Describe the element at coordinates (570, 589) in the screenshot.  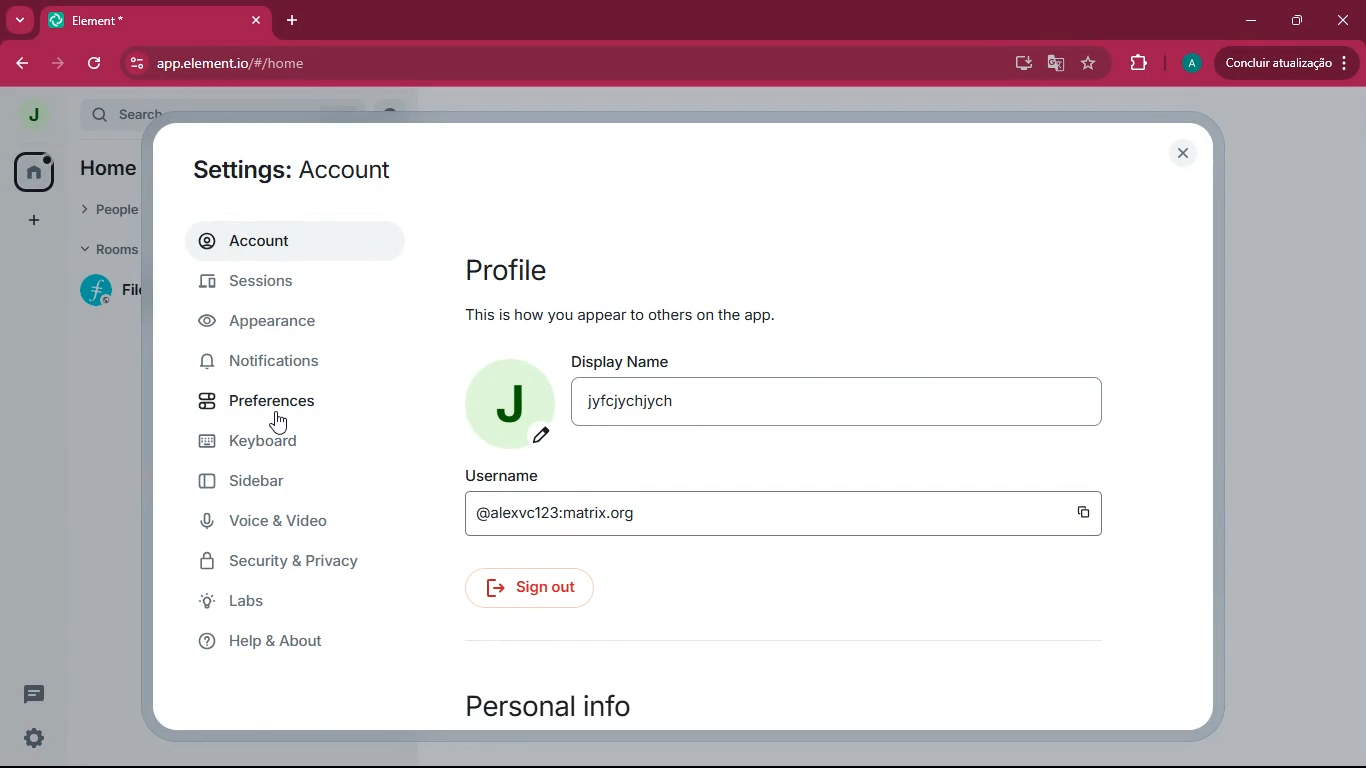
I see `sign out` at that location.